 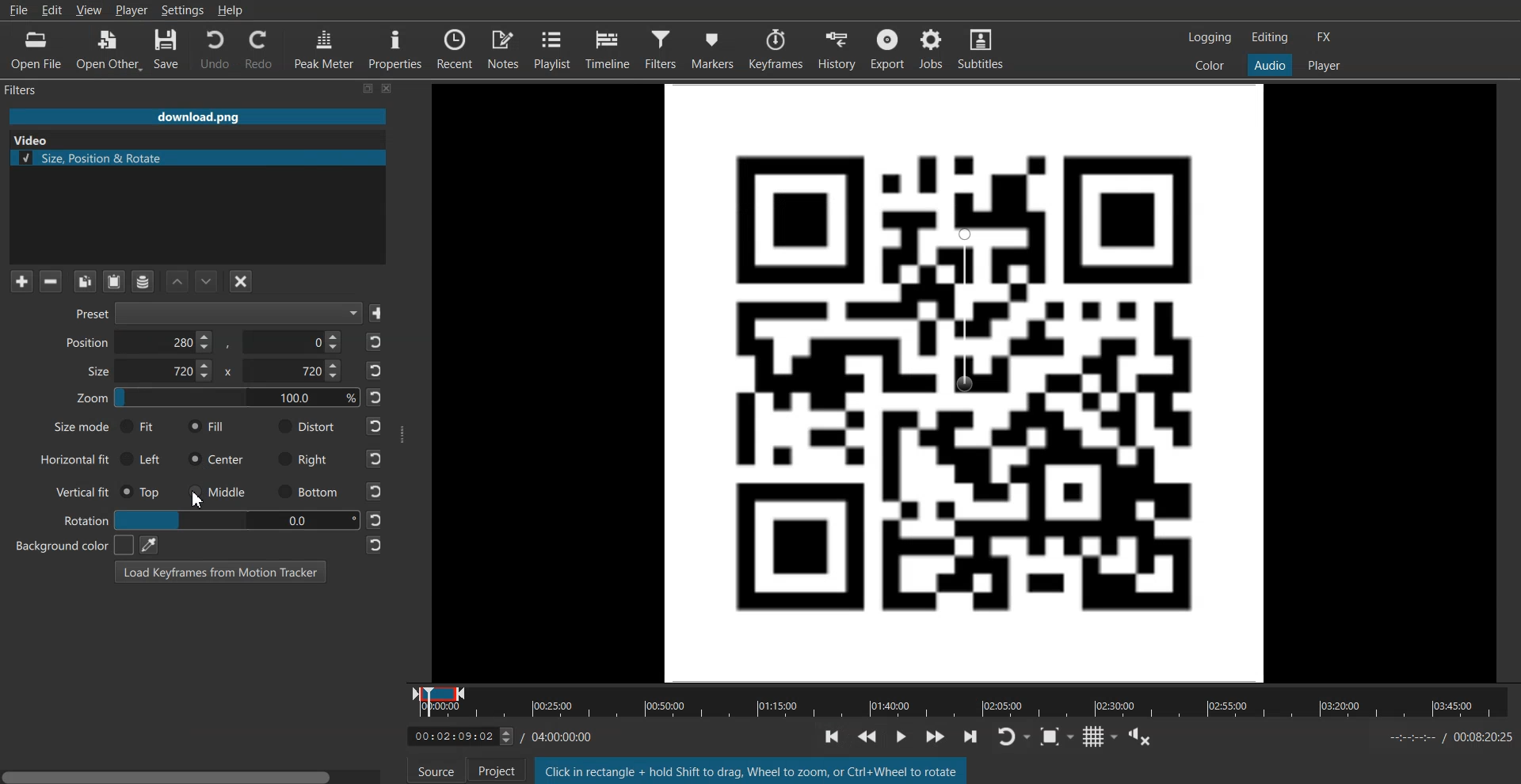 What do you see at coordinates (50, 281) in the screenshot?
I see `Remove selected Filter` at bounding box center [50, 281].